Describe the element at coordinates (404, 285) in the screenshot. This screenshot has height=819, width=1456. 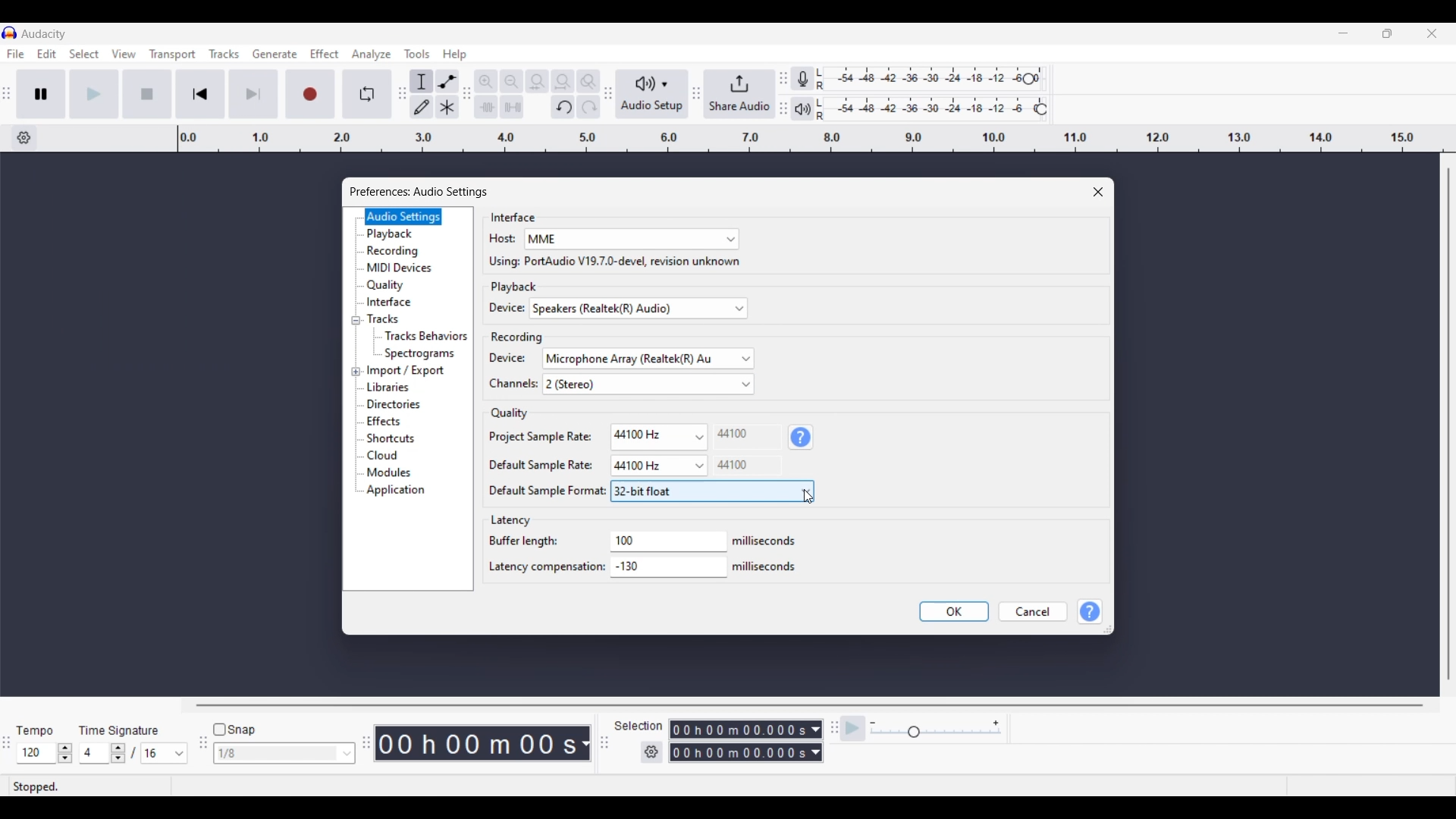
I see `Quality` at that location.